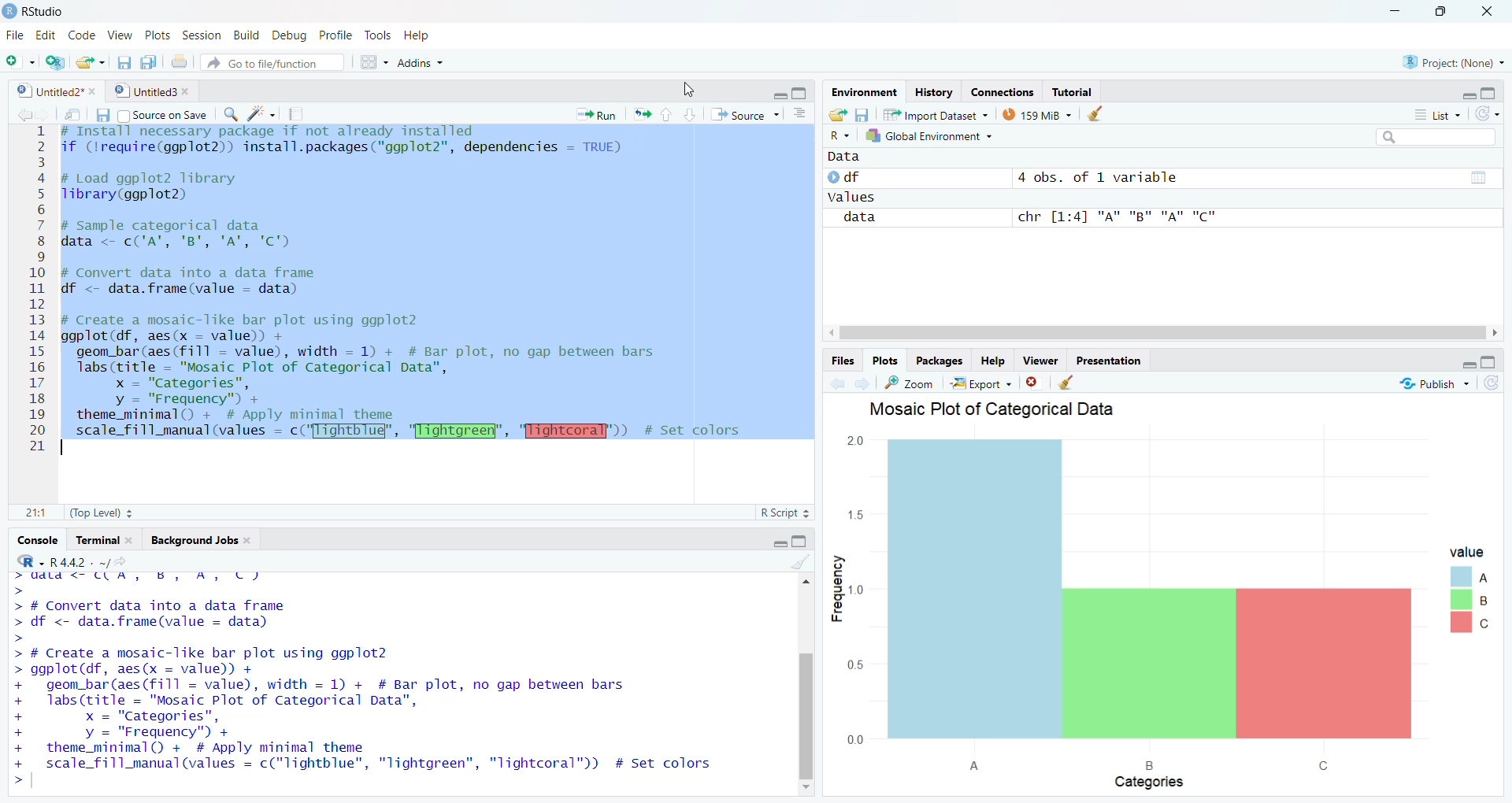 The image size is (1512, 803). Describe the element at coordinates (1488, 114) in the screenshot. I see `Refresh` at that location.